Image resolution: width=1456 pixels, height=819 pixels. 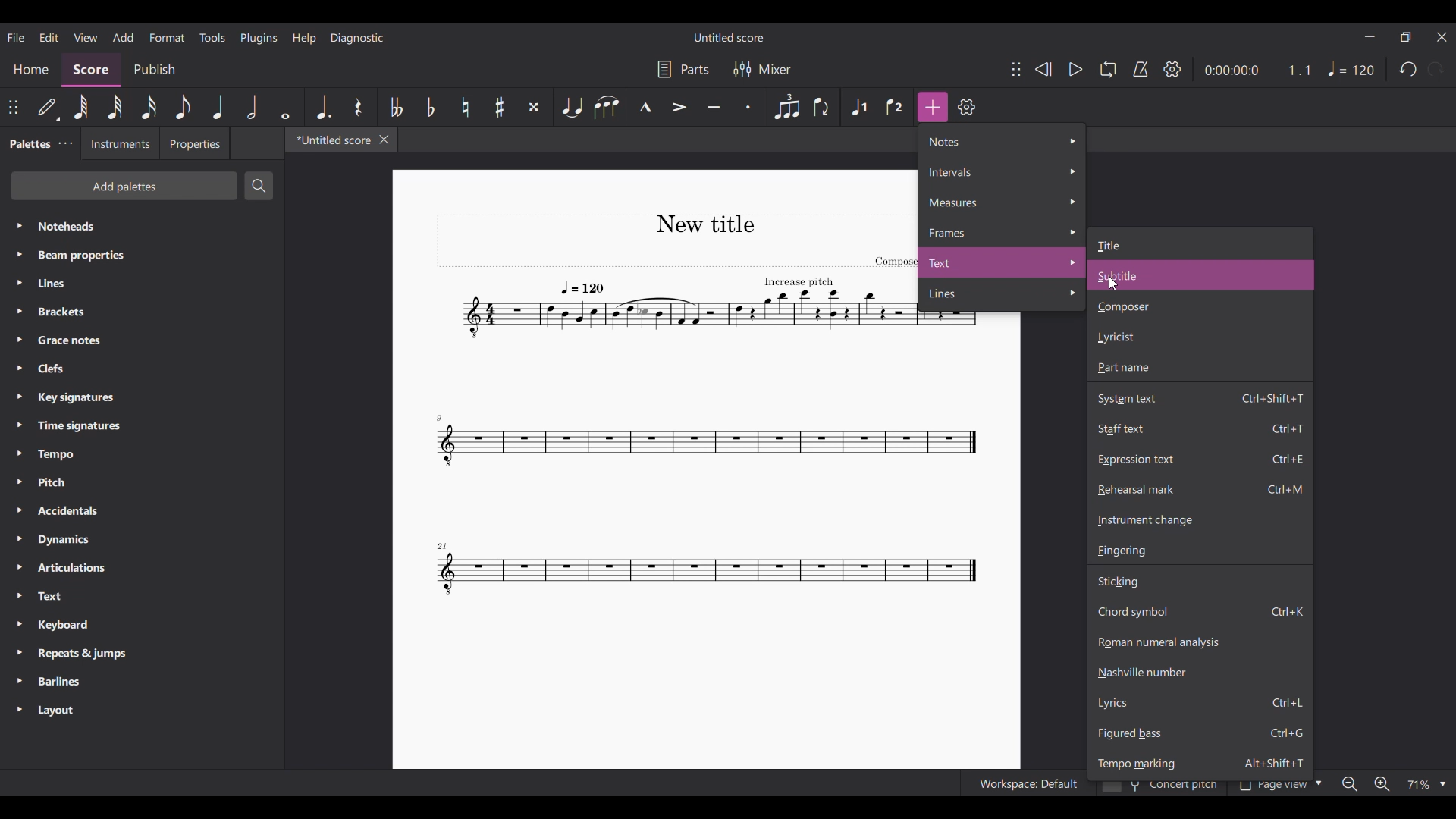 What do you see at coordinates (1172, 69) in the screenshot?
I see `Settings` at bounding box center [1172, 69].